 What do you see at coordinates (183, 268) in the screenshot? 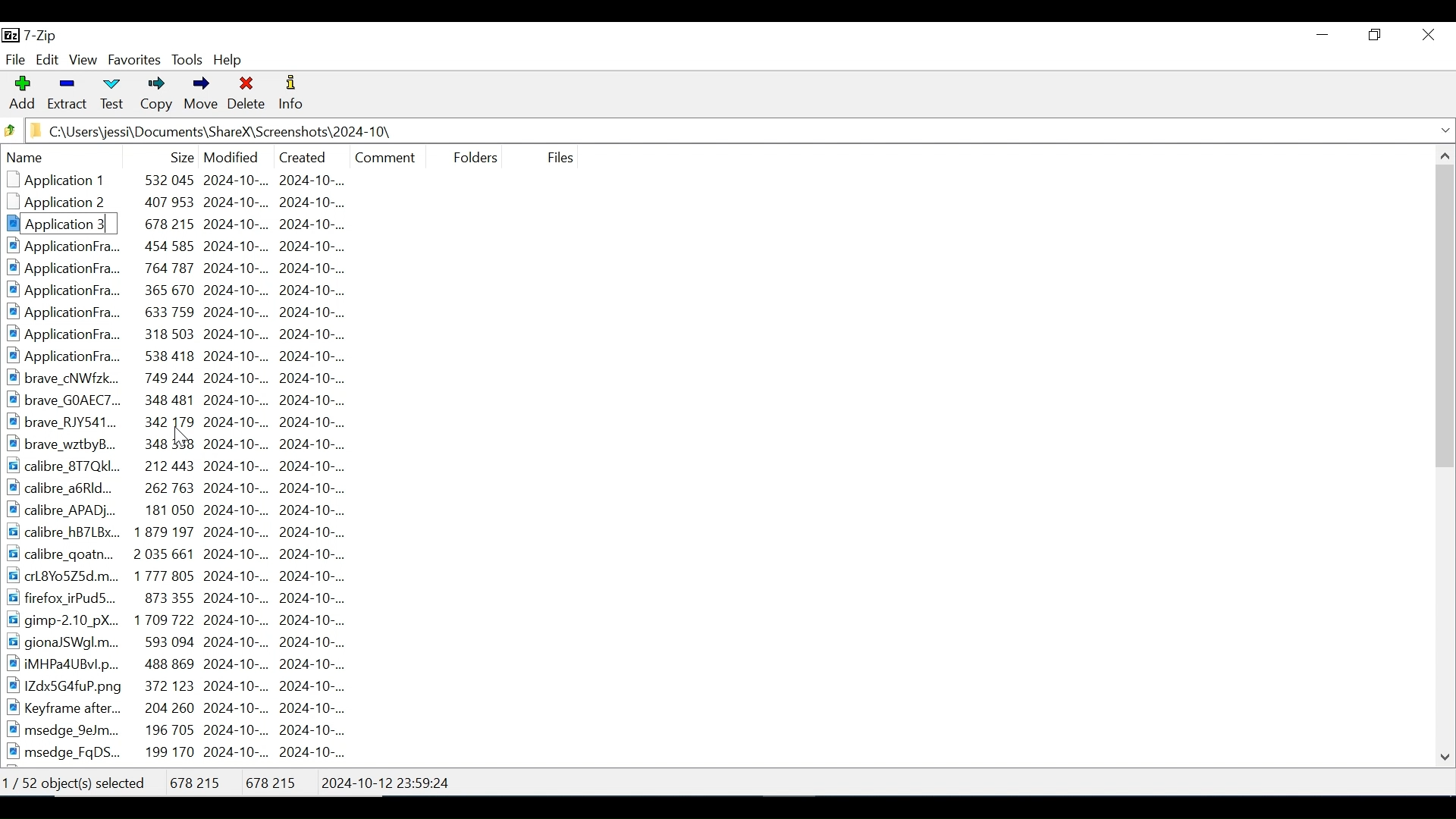
I see `Applicationfra.. ~~ 764 787 2024-10-.. 2024-10-..` at bounding box center [183, 268].